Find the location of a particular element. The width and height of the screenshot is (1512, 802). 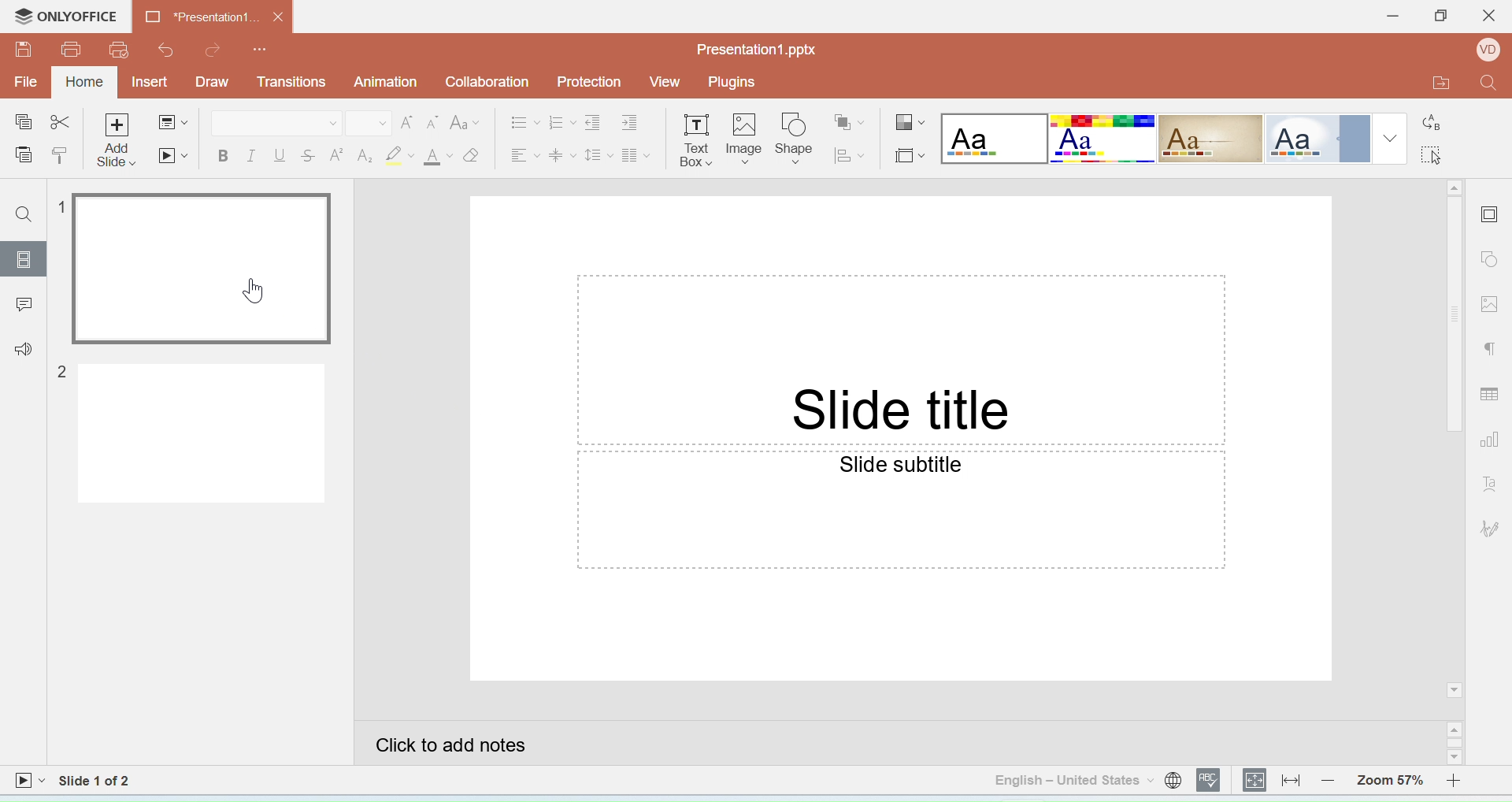

Document name is located at coordinates (213, 16).